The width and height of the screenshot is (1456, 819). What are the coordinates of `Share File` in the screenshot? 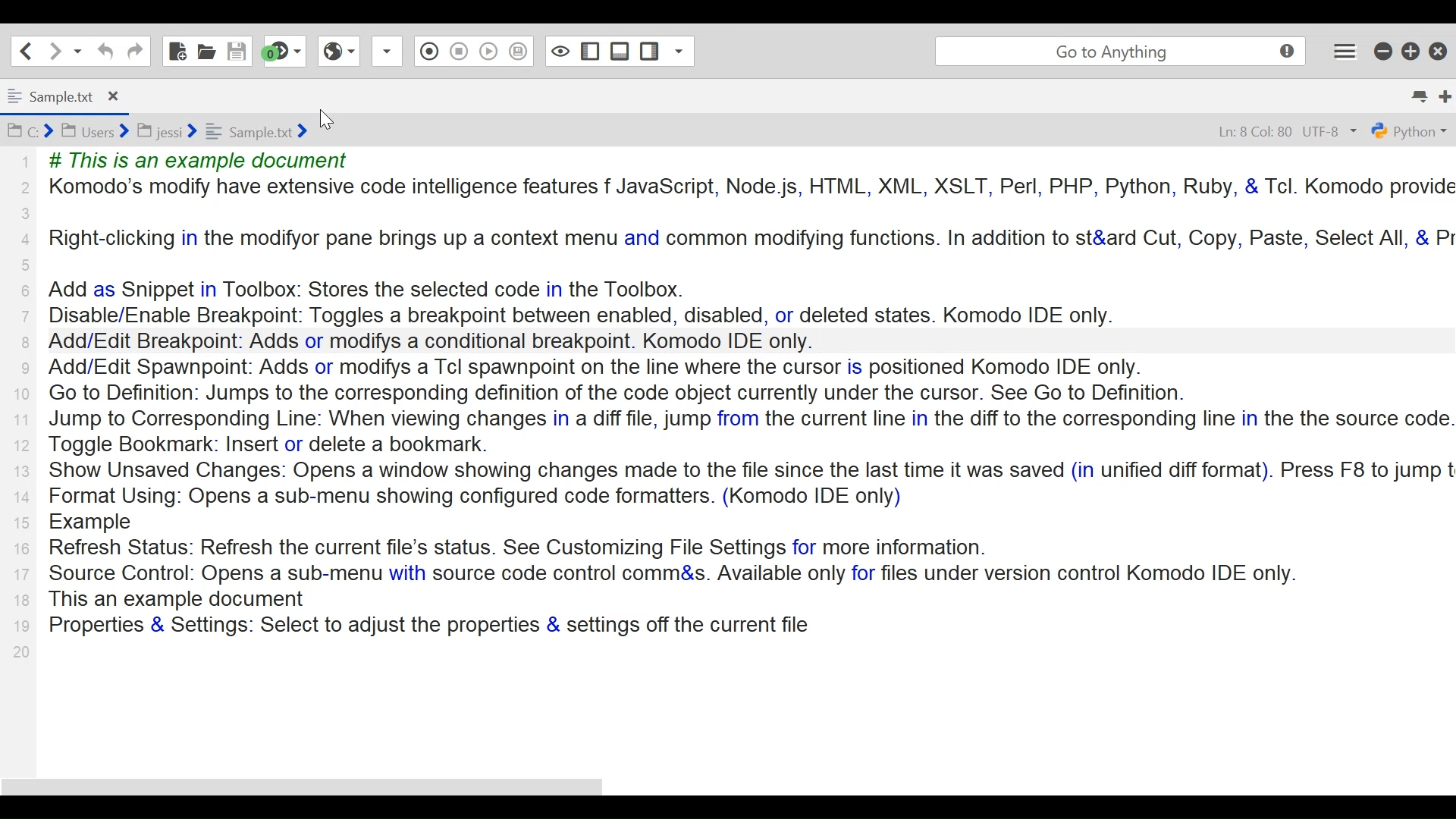 It's located at (680, 52).